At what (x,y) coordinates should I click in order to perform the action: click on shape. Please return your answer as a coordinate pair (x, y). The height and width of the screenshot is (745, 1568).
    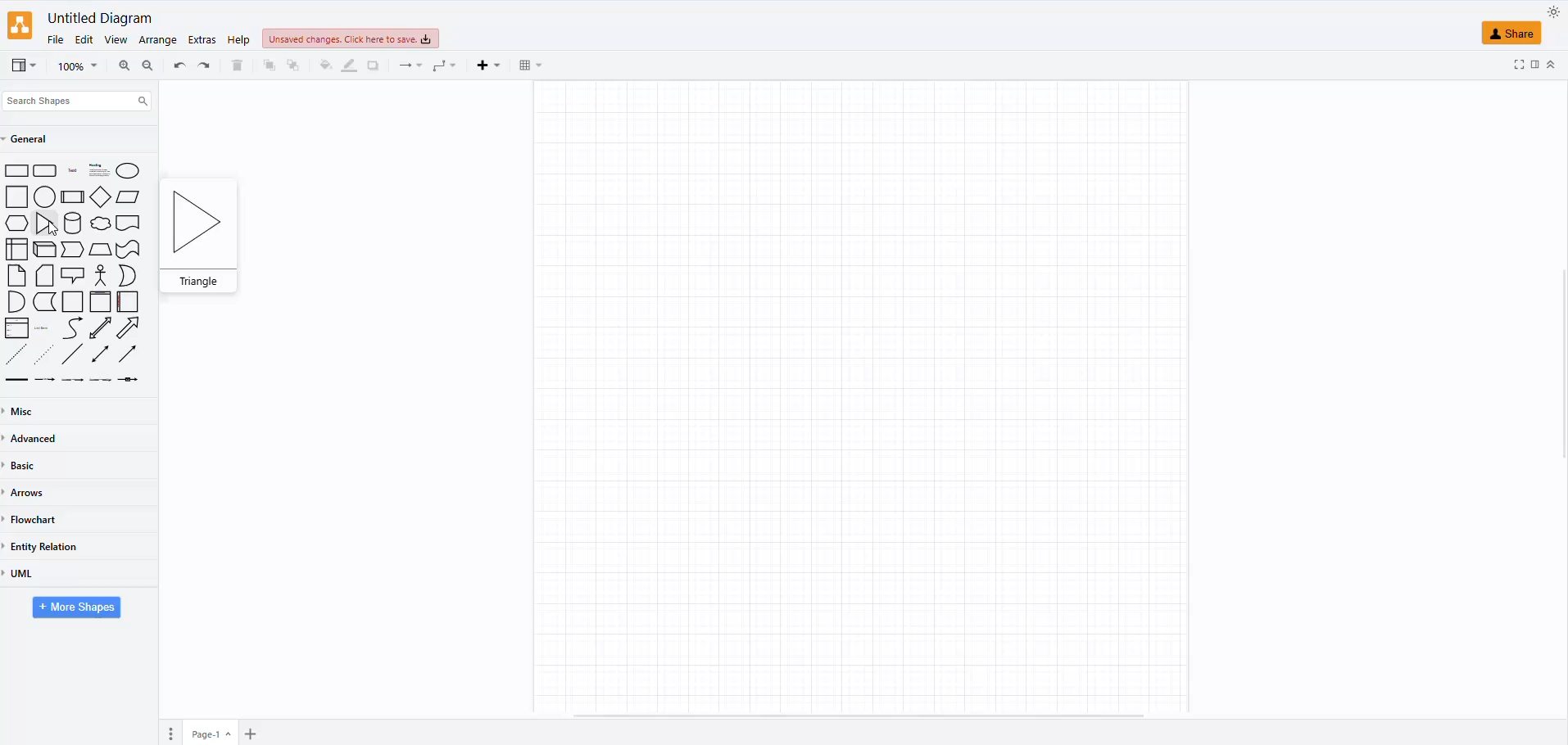
    Looking at the image, I should click on (1511, 33).